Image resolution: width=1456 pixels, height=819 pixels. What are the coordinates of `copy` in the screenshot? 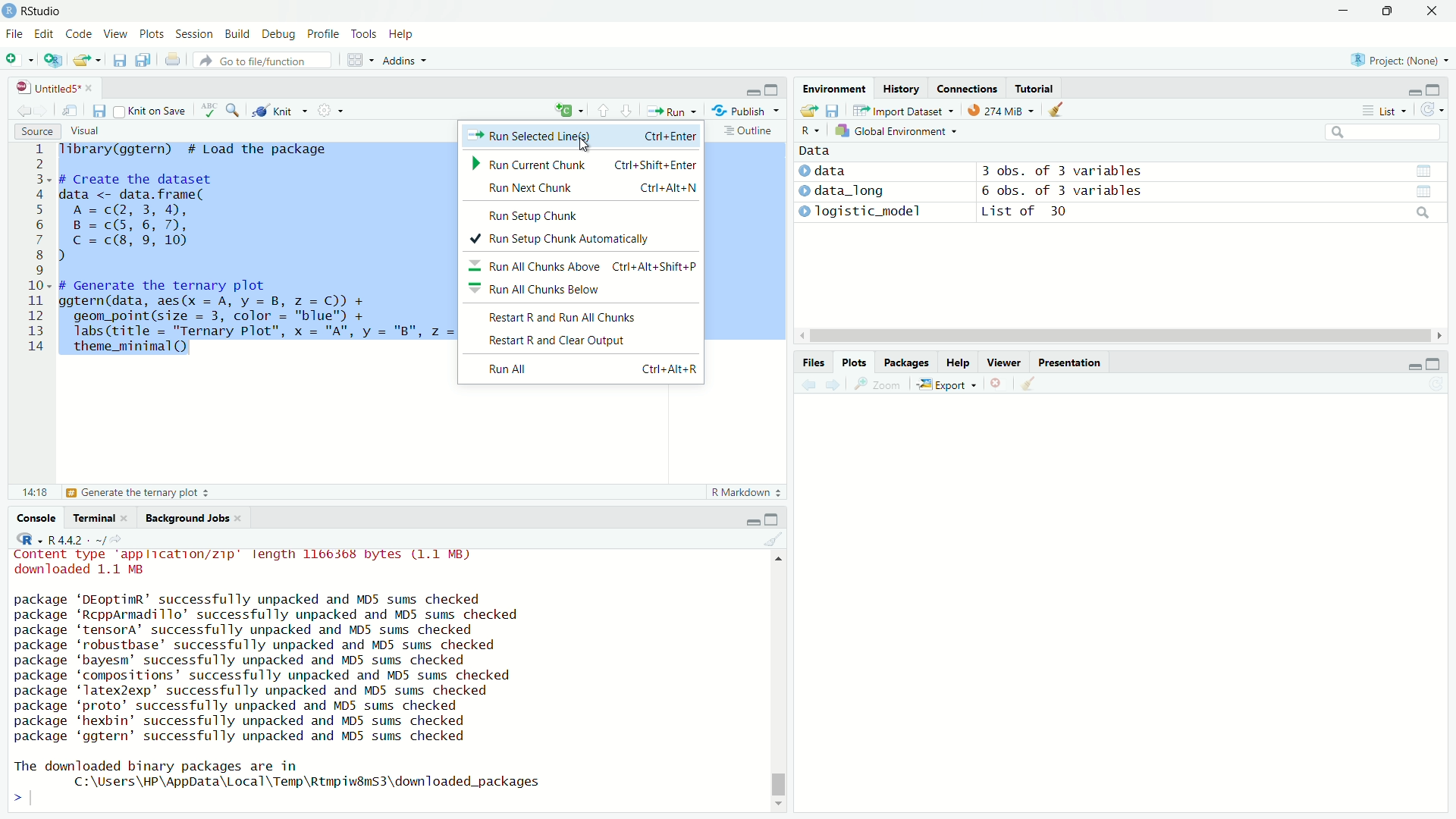 It's located at (141, 61).